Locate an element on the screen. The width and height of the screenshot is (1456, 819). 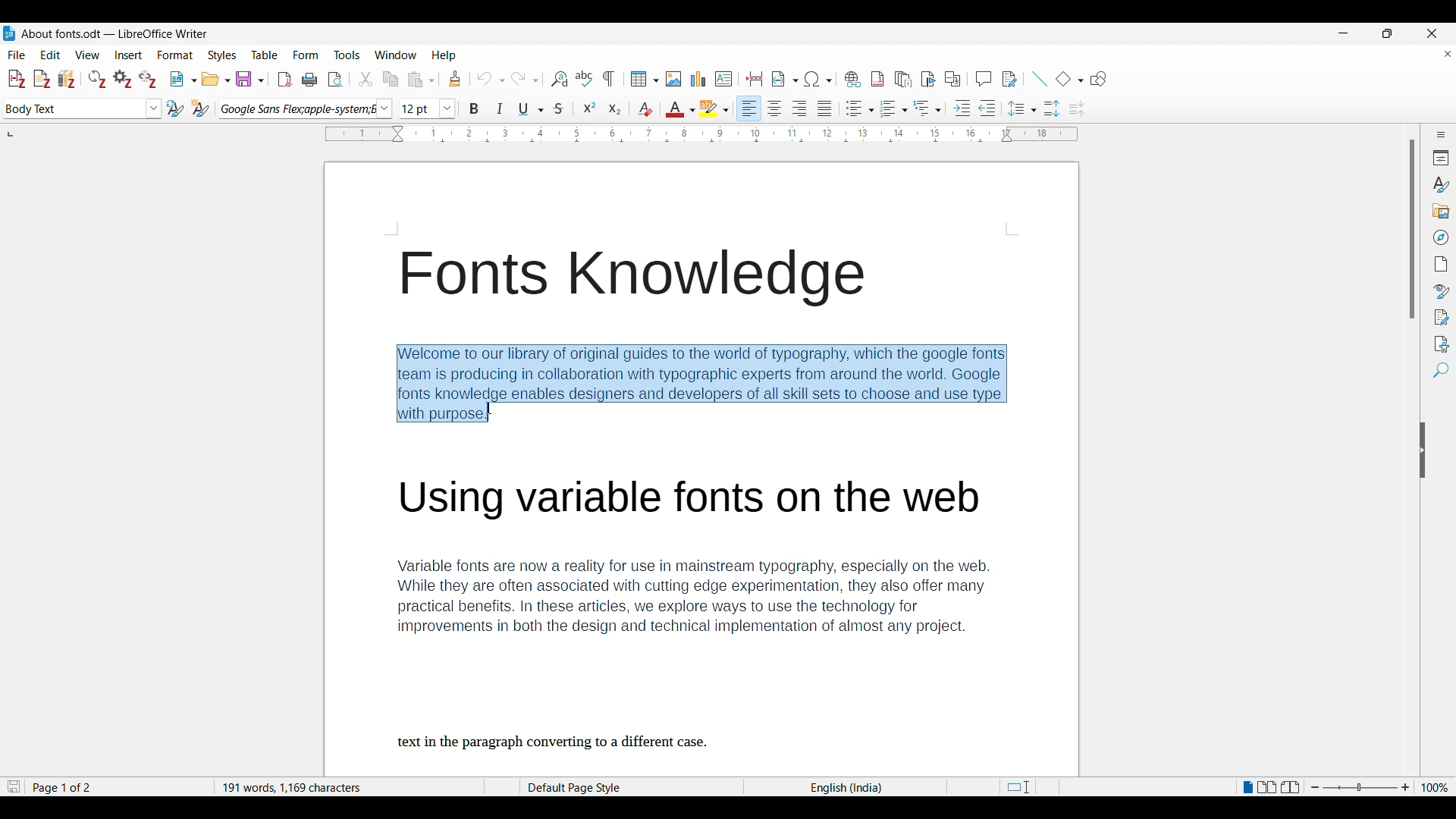
Insert field is located at coordinates (785, 79).